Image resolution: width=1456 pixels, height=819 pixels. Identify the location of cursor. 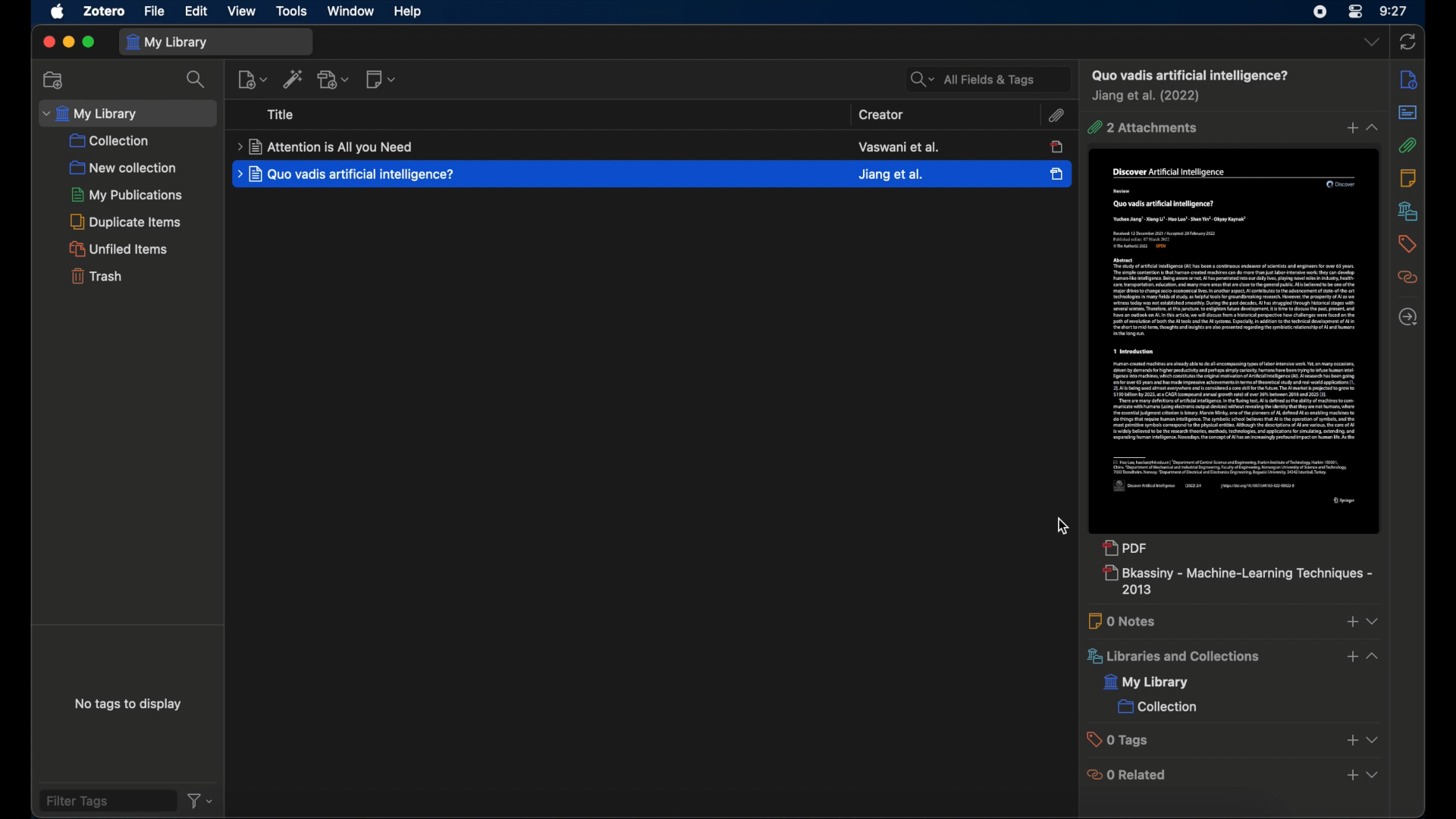
(1060, 527).